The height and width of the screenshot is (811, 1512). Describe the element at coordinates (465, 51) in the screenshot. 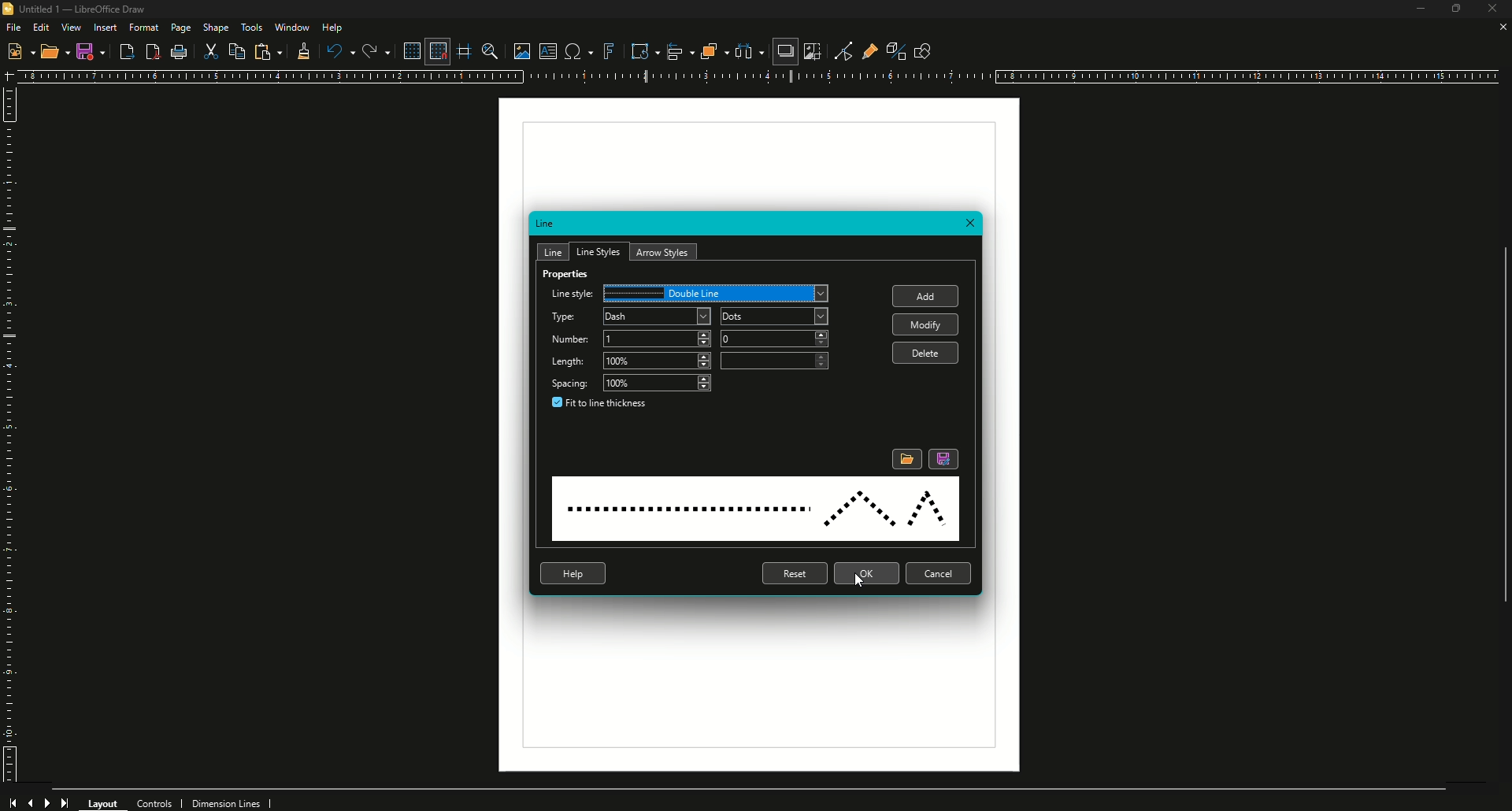

I see `Helplines` at that location.